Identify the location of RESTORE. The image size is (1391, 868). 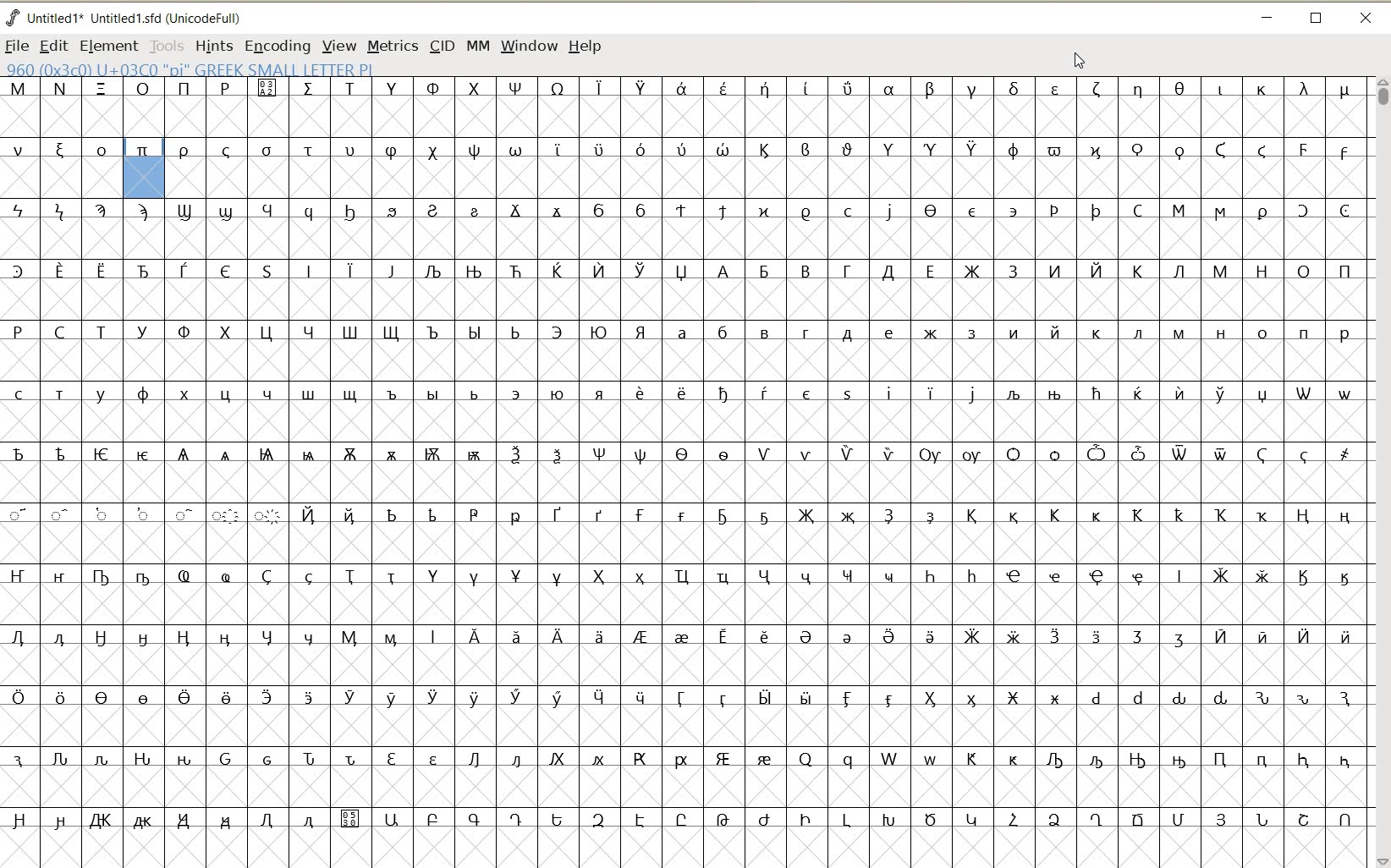
(1317, 19).